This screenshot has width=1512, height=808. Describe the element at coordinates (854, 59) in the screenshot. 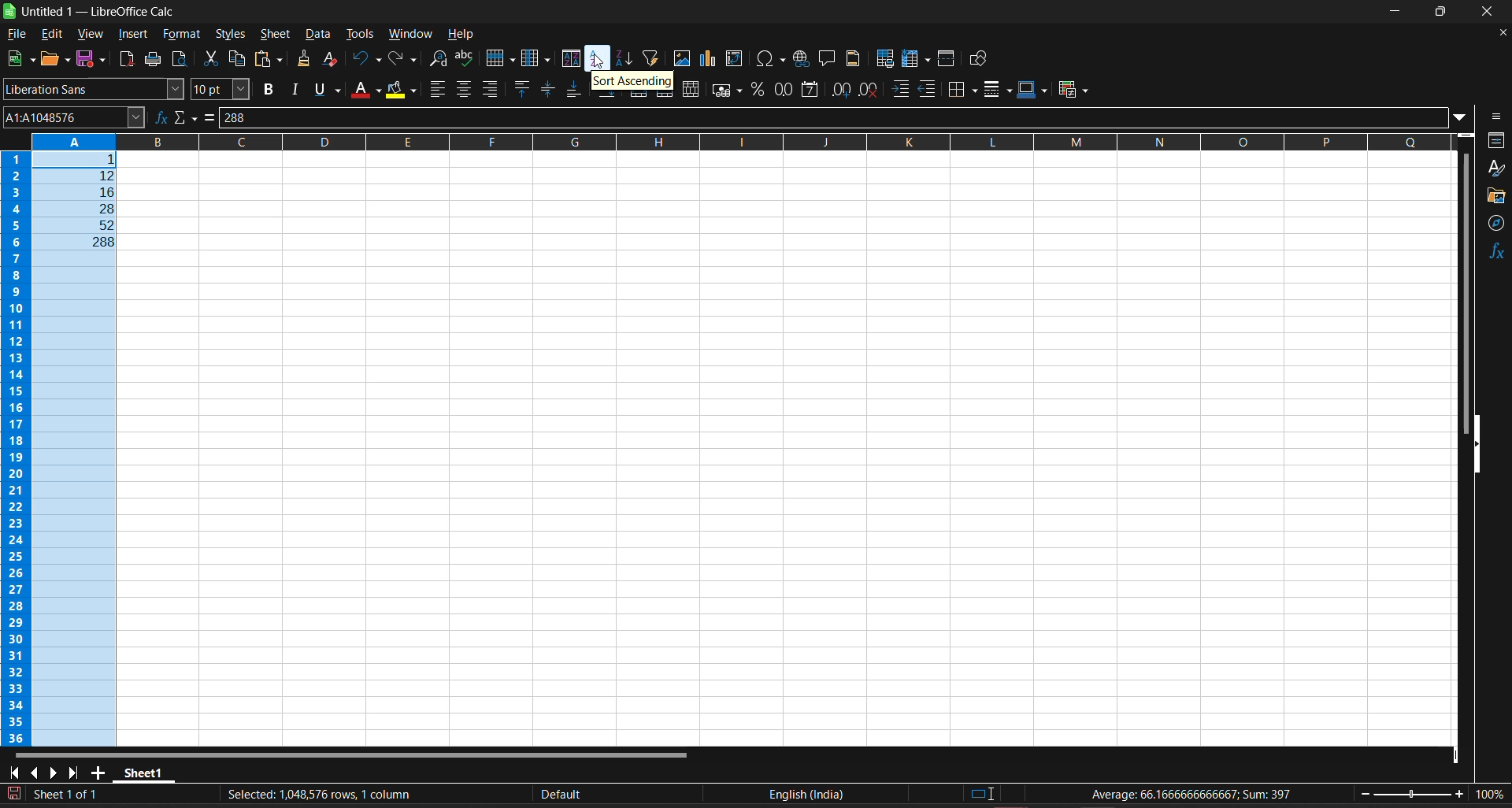

I see `headers and footers` at that location.